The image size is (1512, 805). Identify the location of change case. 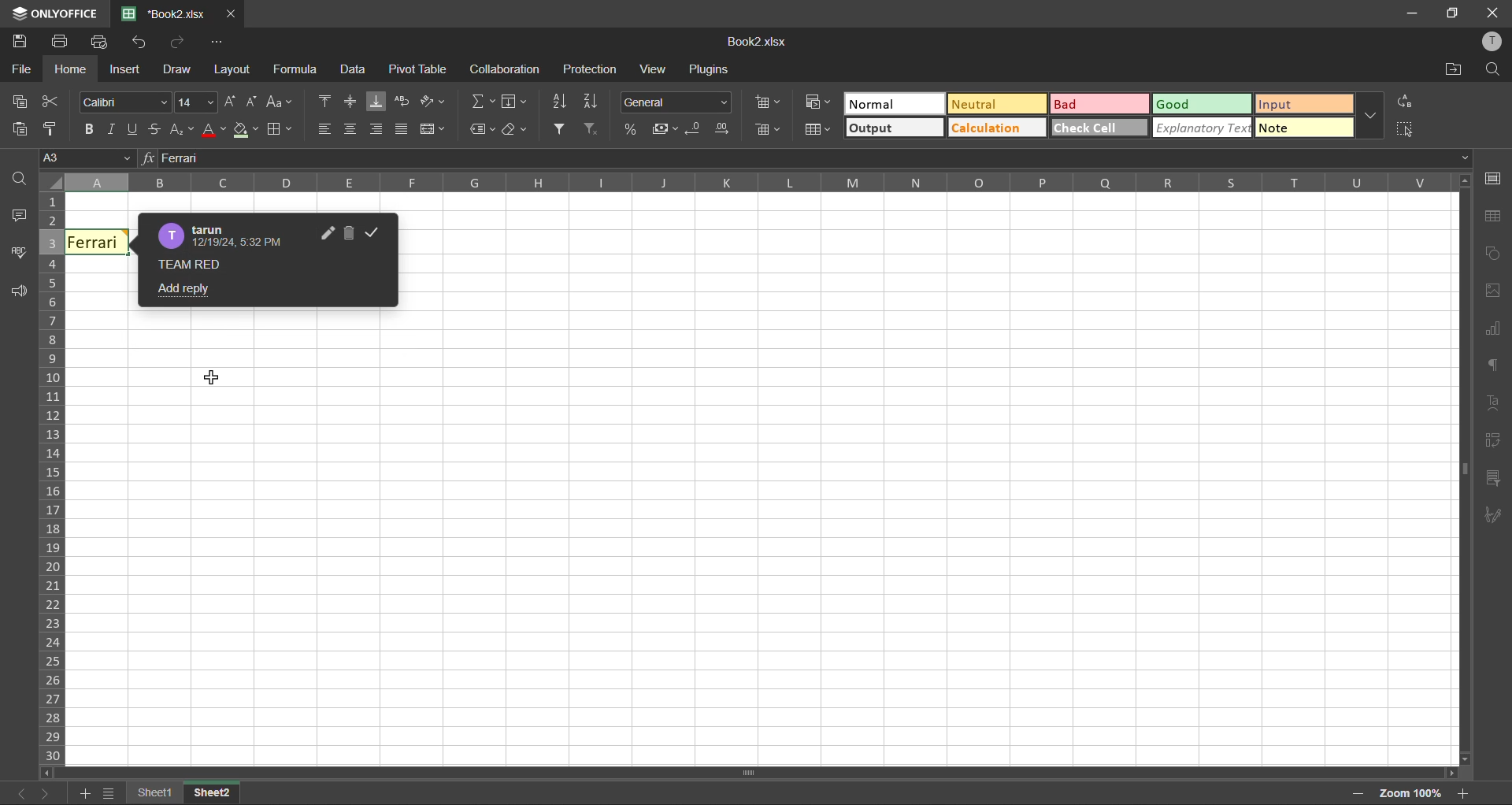
(279, 103).